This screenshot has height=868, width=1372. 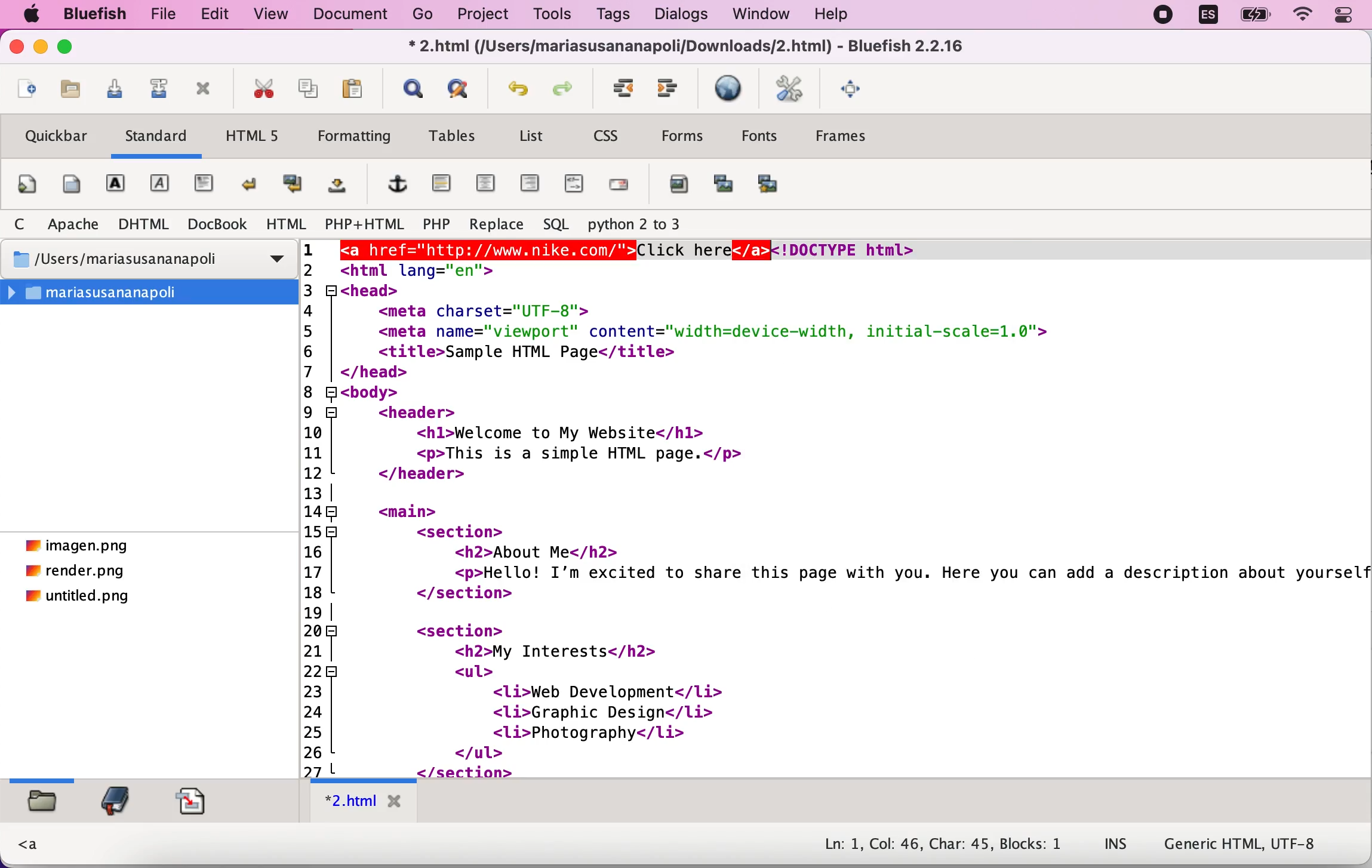 I want to click on html, so click(x=284, y=223).